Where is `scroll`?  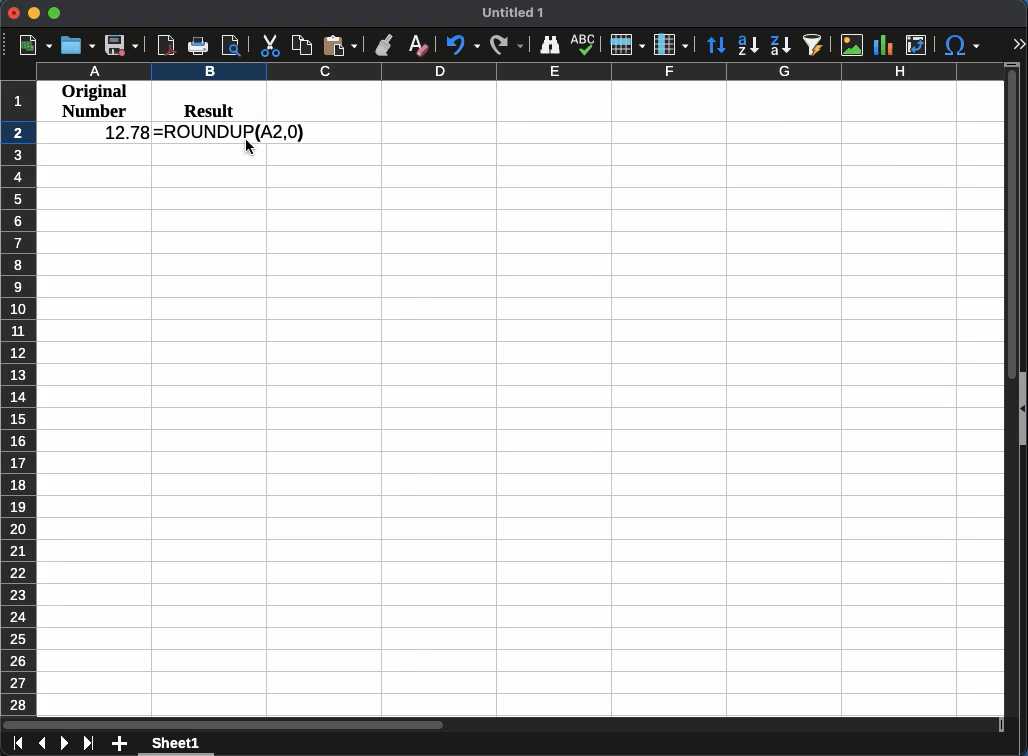
scroll is located at coordinates (1006, 387).